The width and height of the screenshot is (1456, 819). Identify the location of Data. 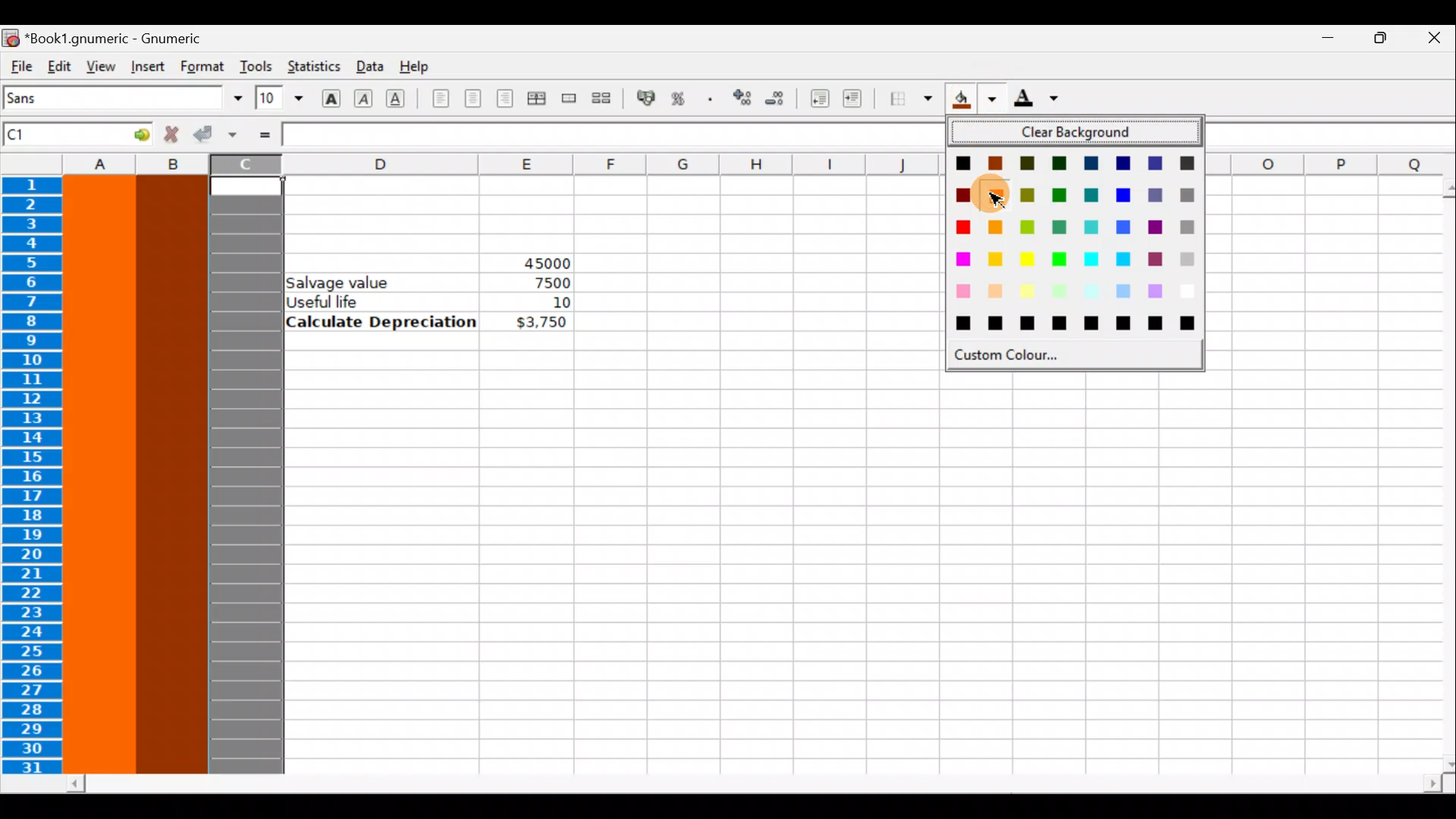
(368, 65).